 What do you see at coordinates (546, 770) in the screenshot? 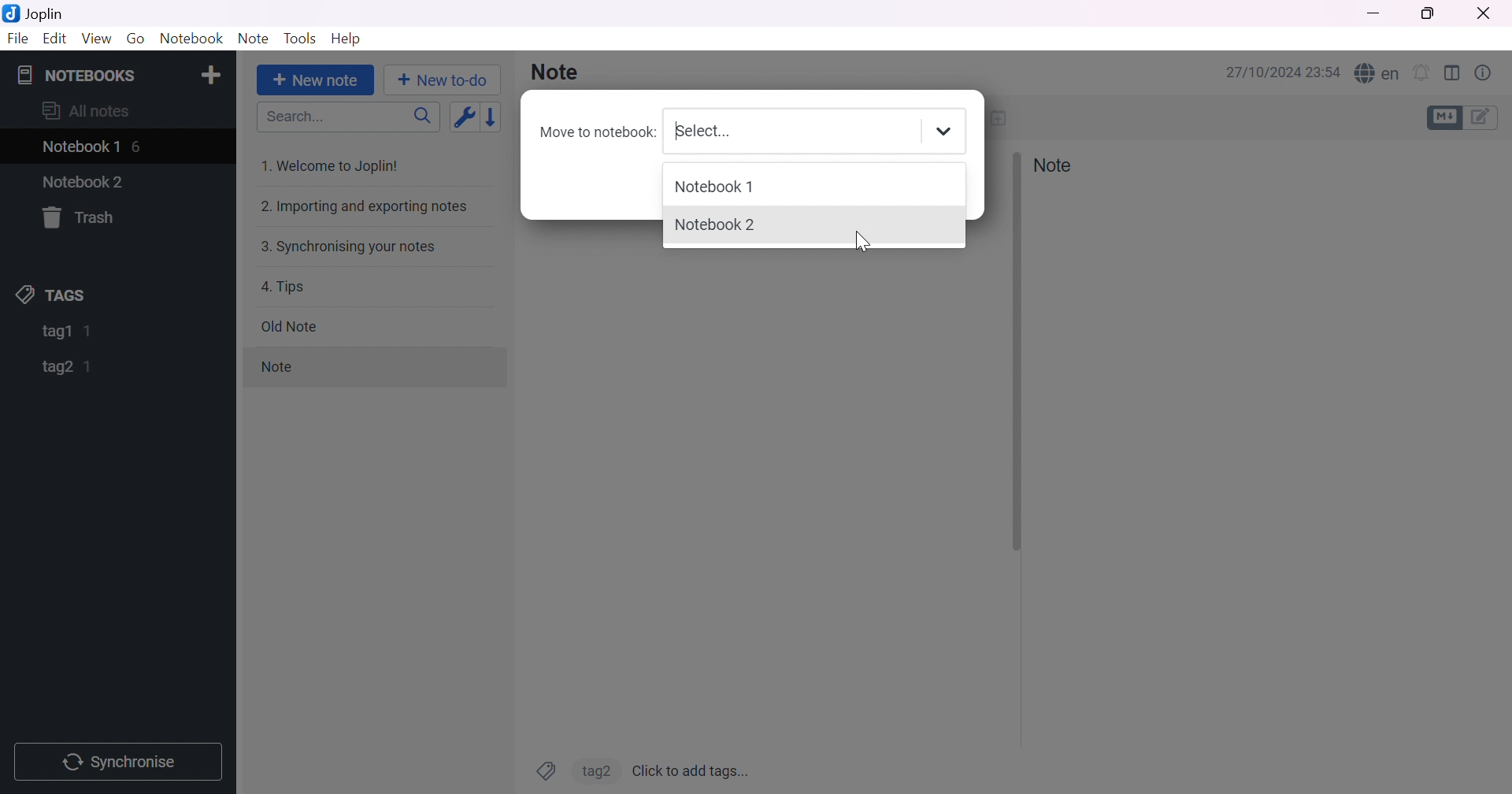
I see `Tags` at bounding box center [546, 770].